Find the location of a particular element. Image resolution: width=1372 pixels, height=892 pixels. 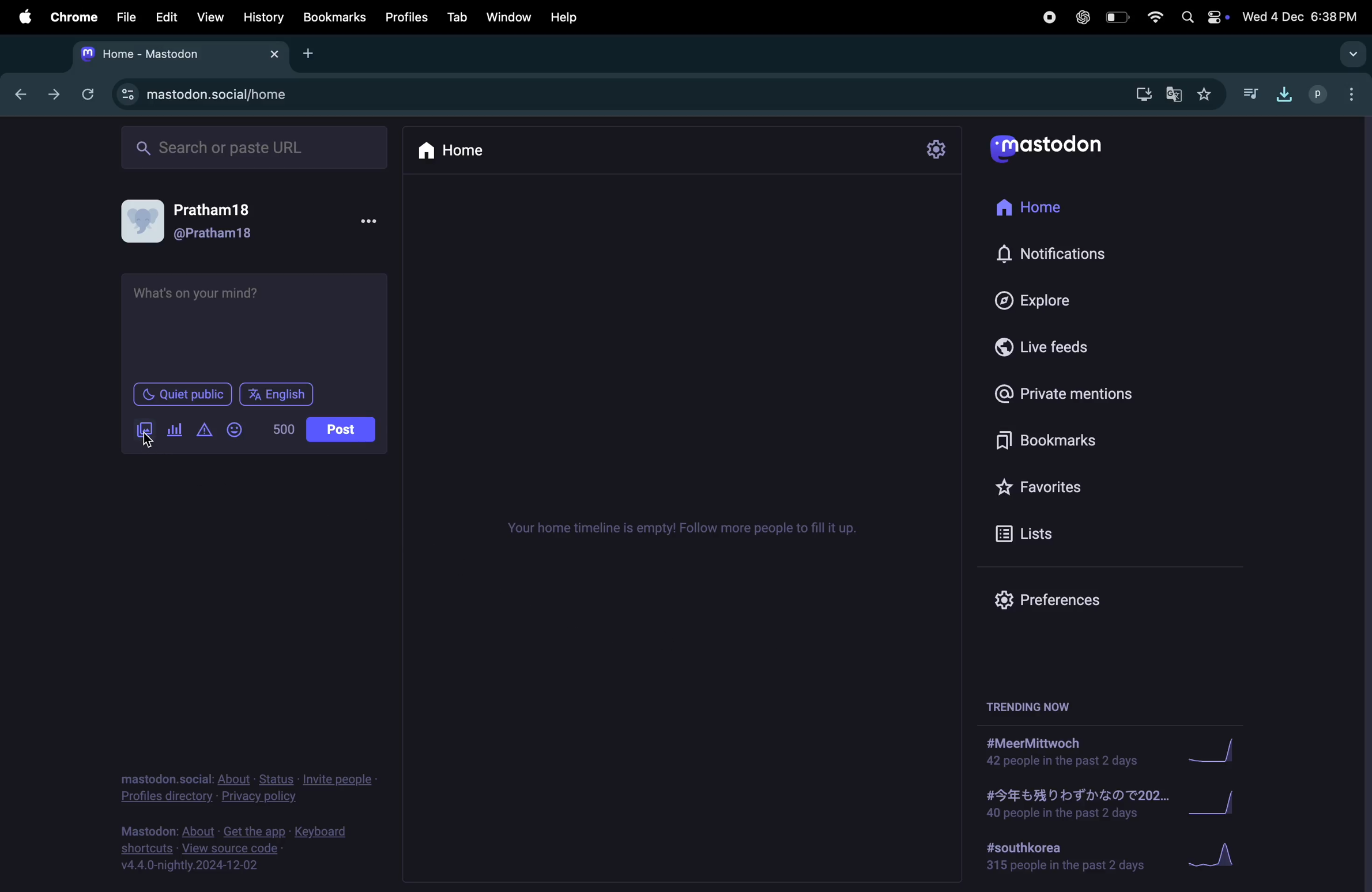

book marks is located at coordinates (332, 17).